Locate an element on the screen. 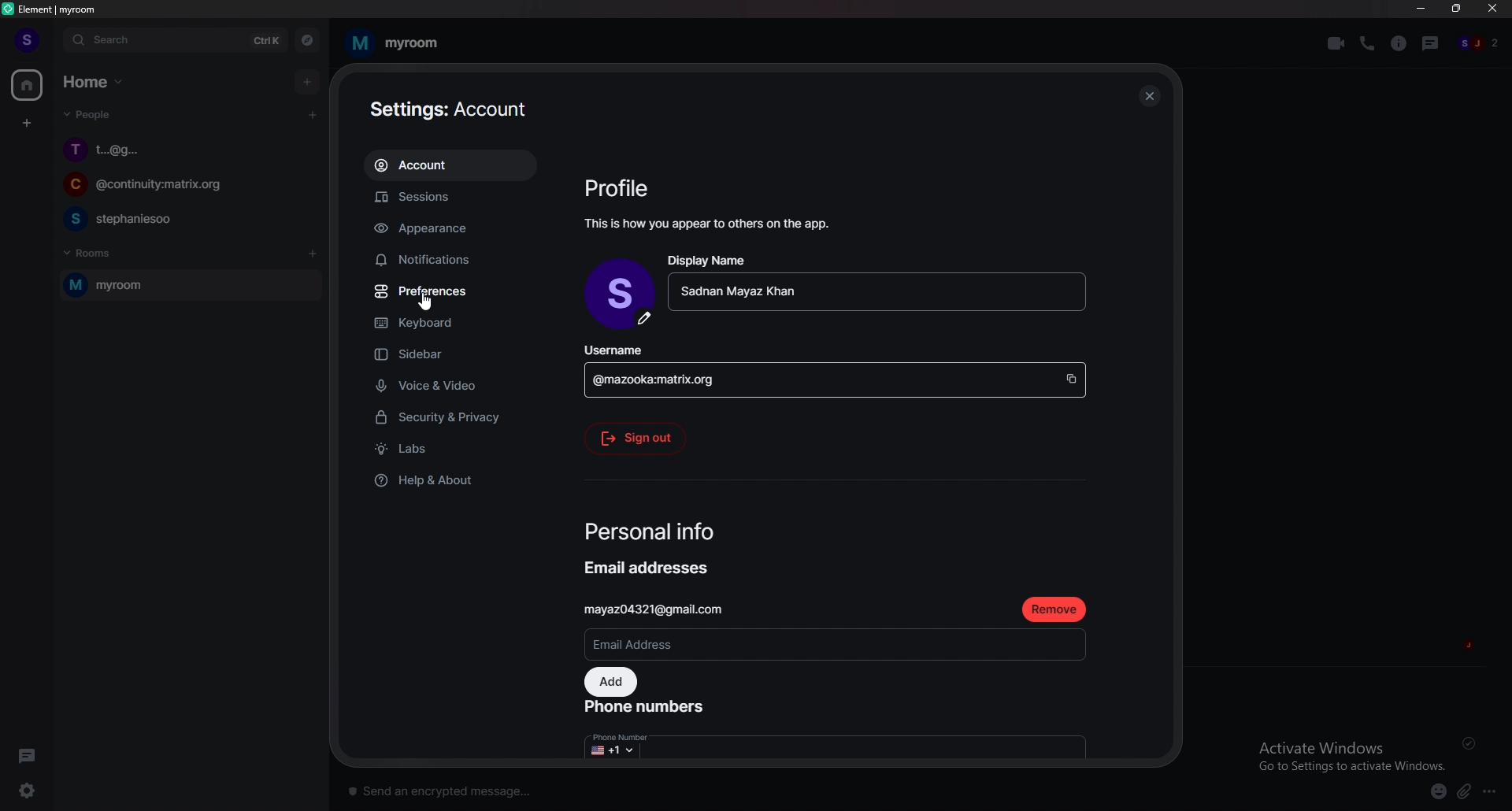 This screenshot has width=1512, height=811. room info is located at coordinates (1400, 43).